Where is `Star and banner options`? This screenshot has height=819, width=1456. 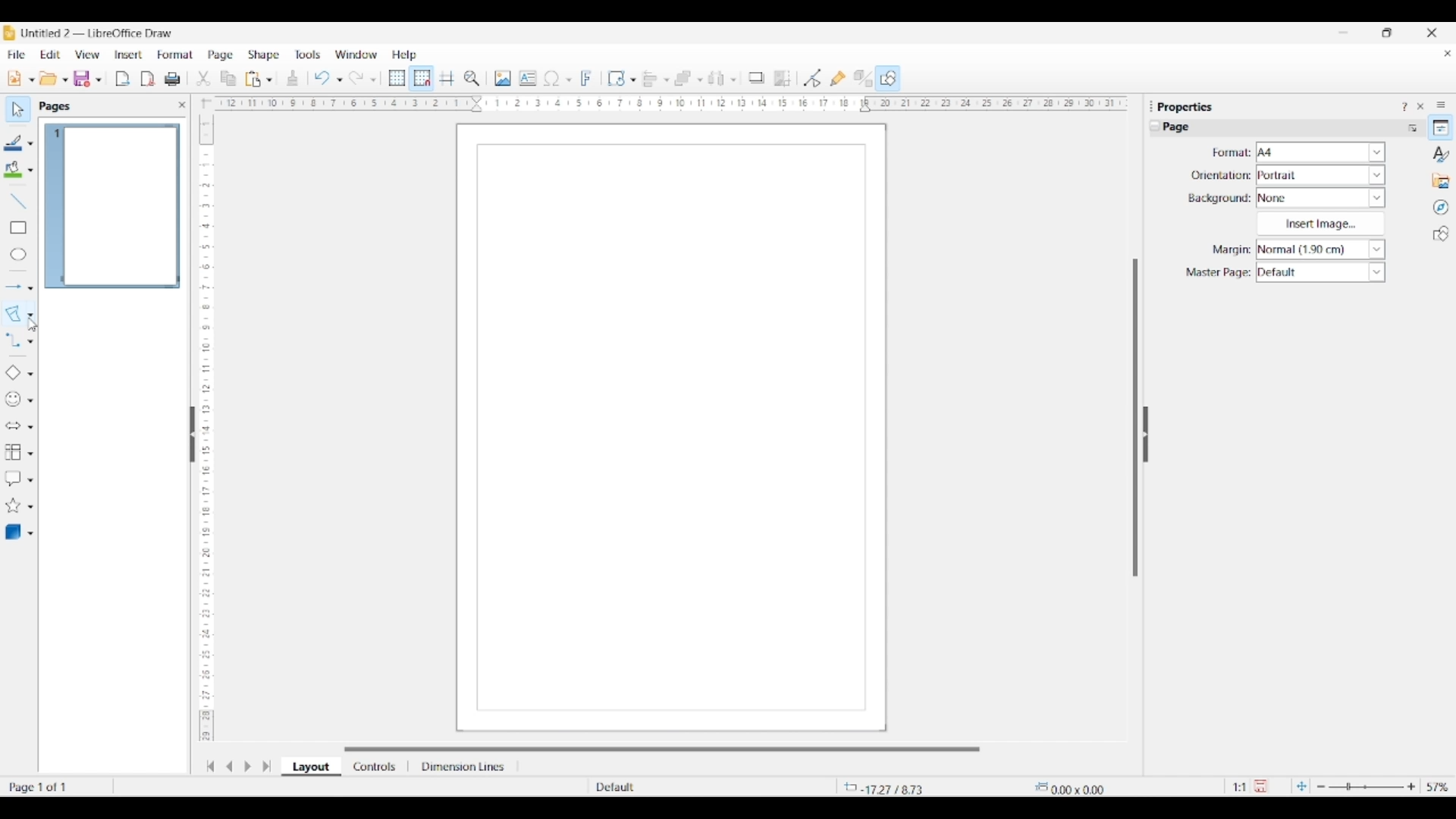 Star and banner options is located at coordinates (30, 507).